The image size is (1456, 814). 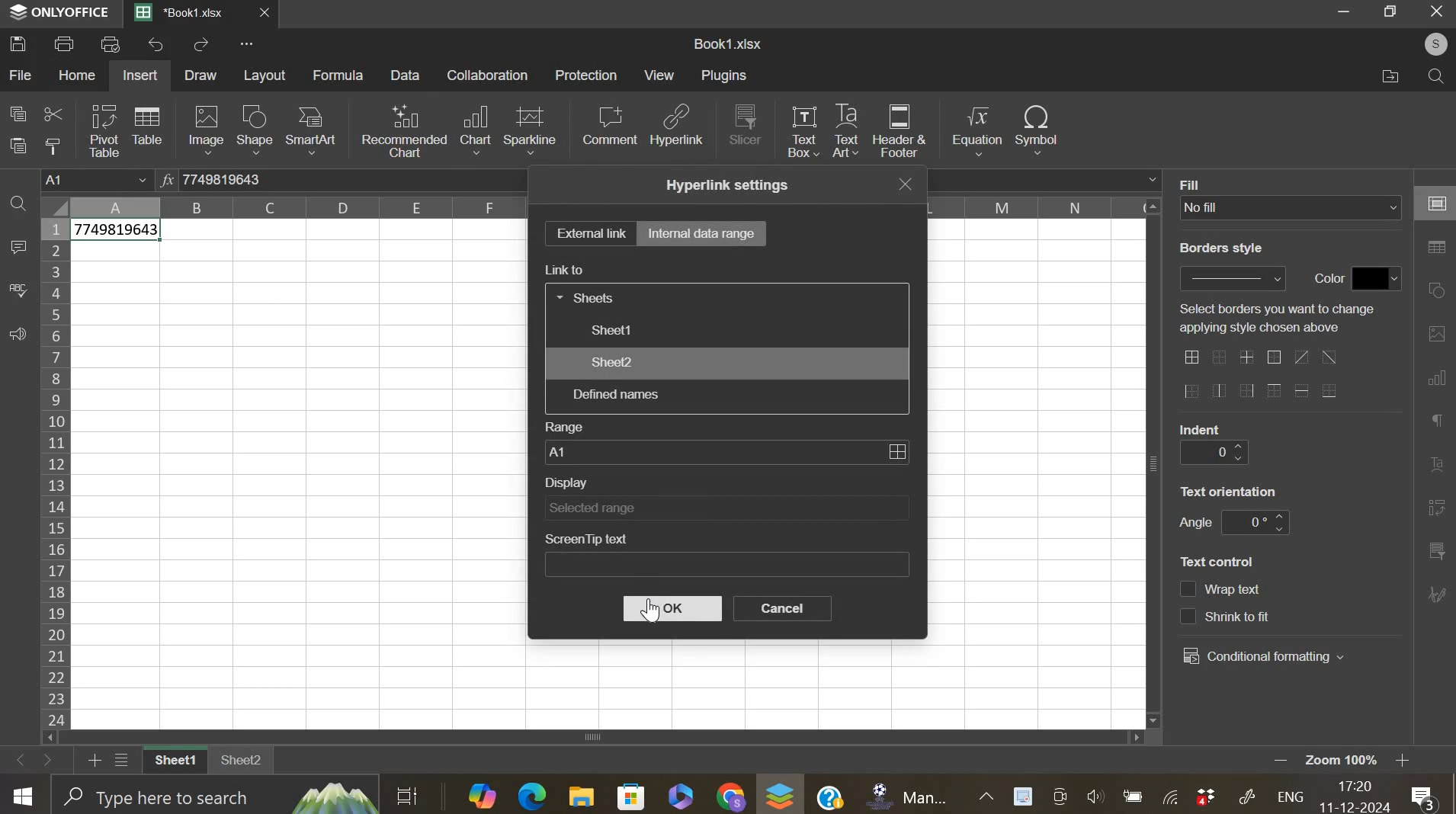 I want to click on shape, so click(x=254, y=130).